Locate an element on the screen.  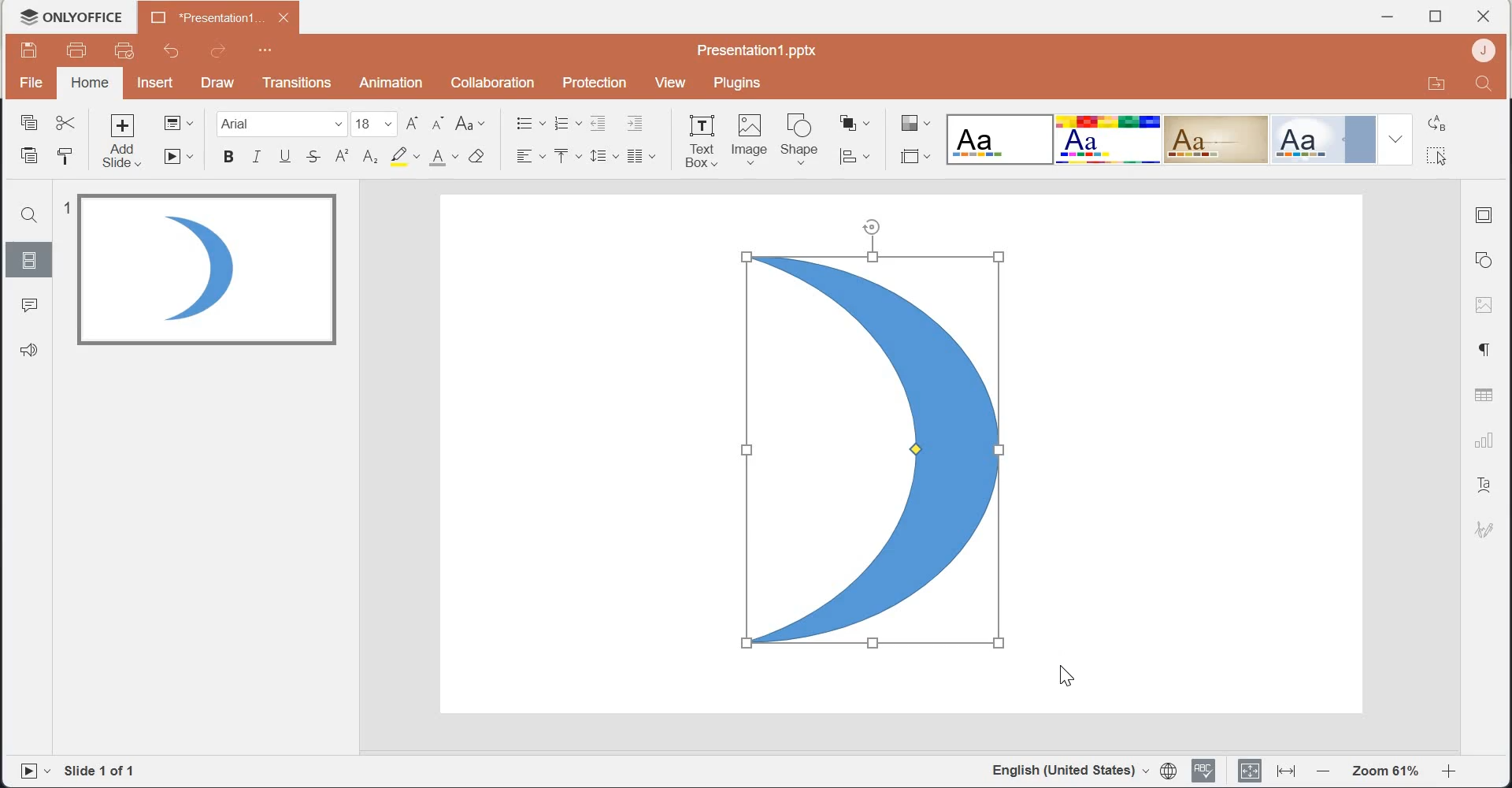
Zoom in is located at coordinates (1455, 772).